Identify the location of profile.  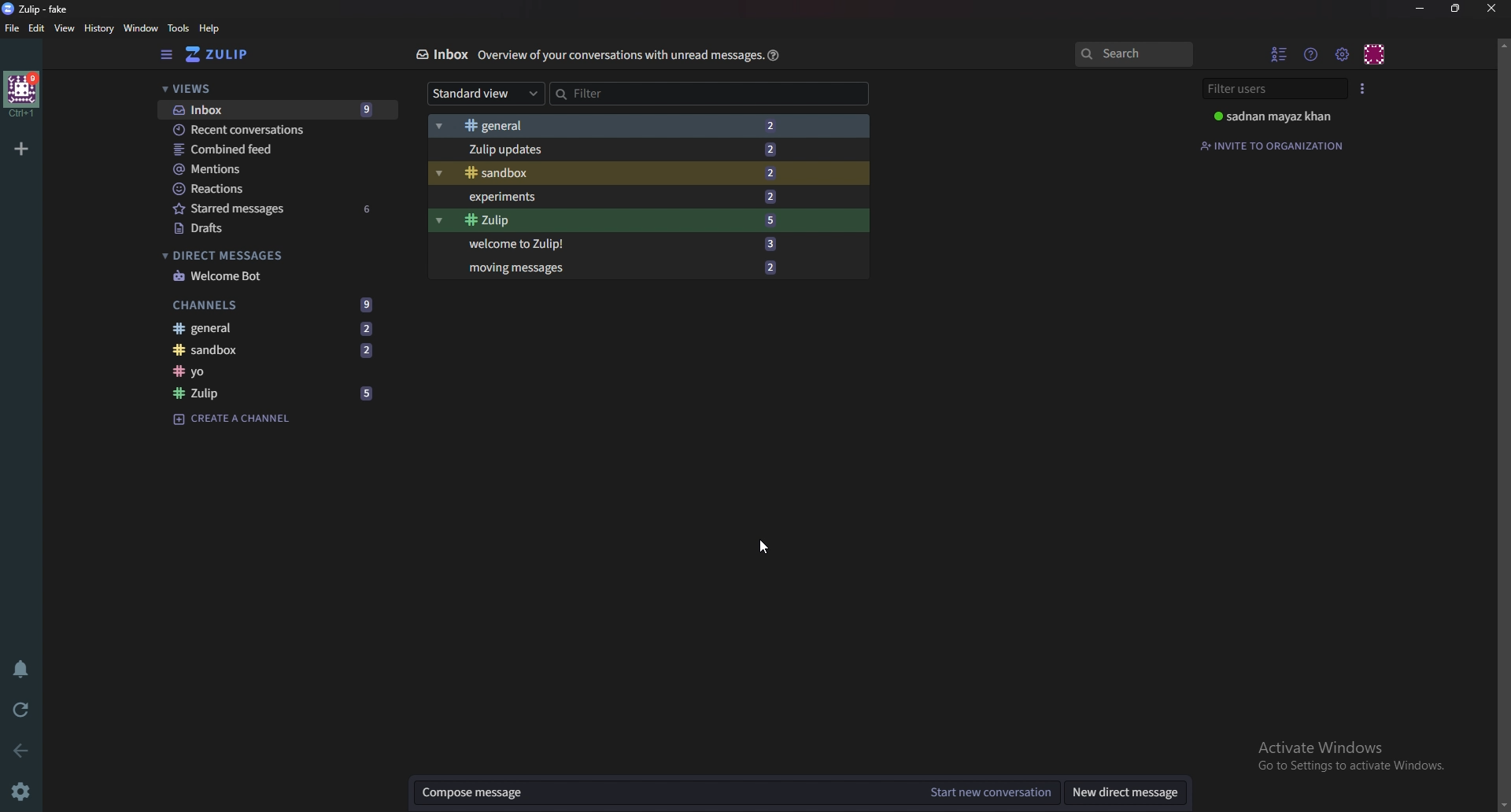
(1276, 116).